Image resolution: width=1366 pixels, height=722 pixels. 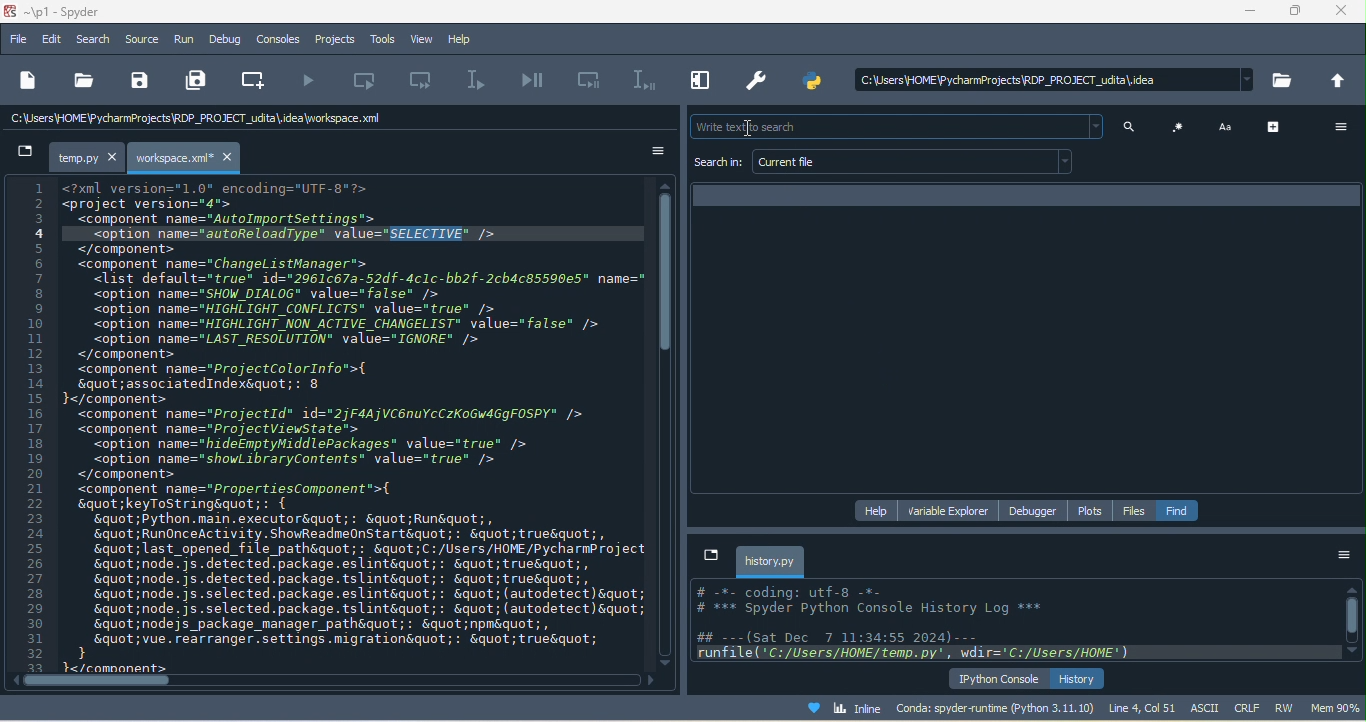 I want to click on debug cell, so click(x=590, y=80).